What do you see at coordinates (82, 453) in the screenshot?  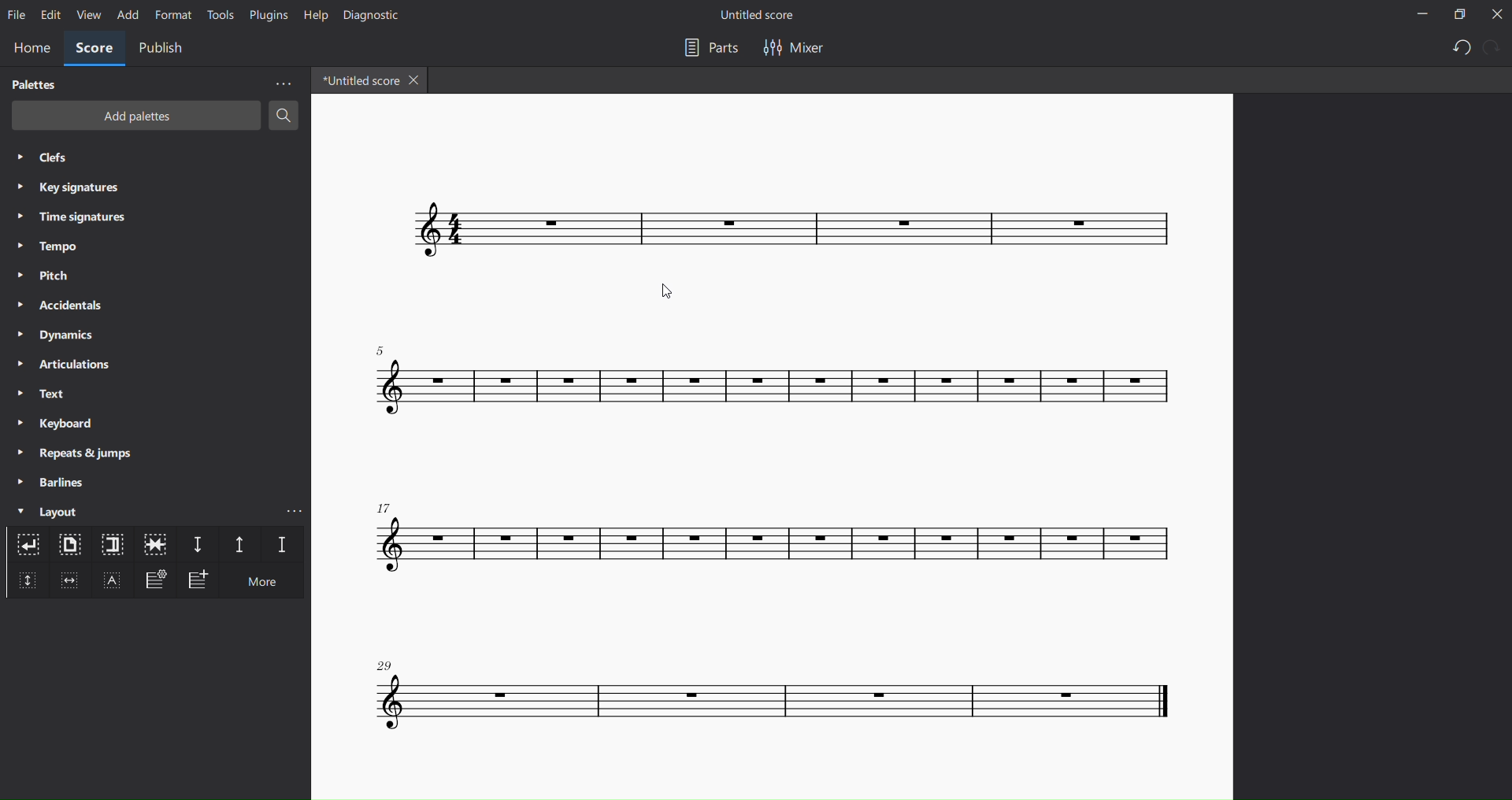 I see `repeats and jumps` at bounding box center [82, 453].